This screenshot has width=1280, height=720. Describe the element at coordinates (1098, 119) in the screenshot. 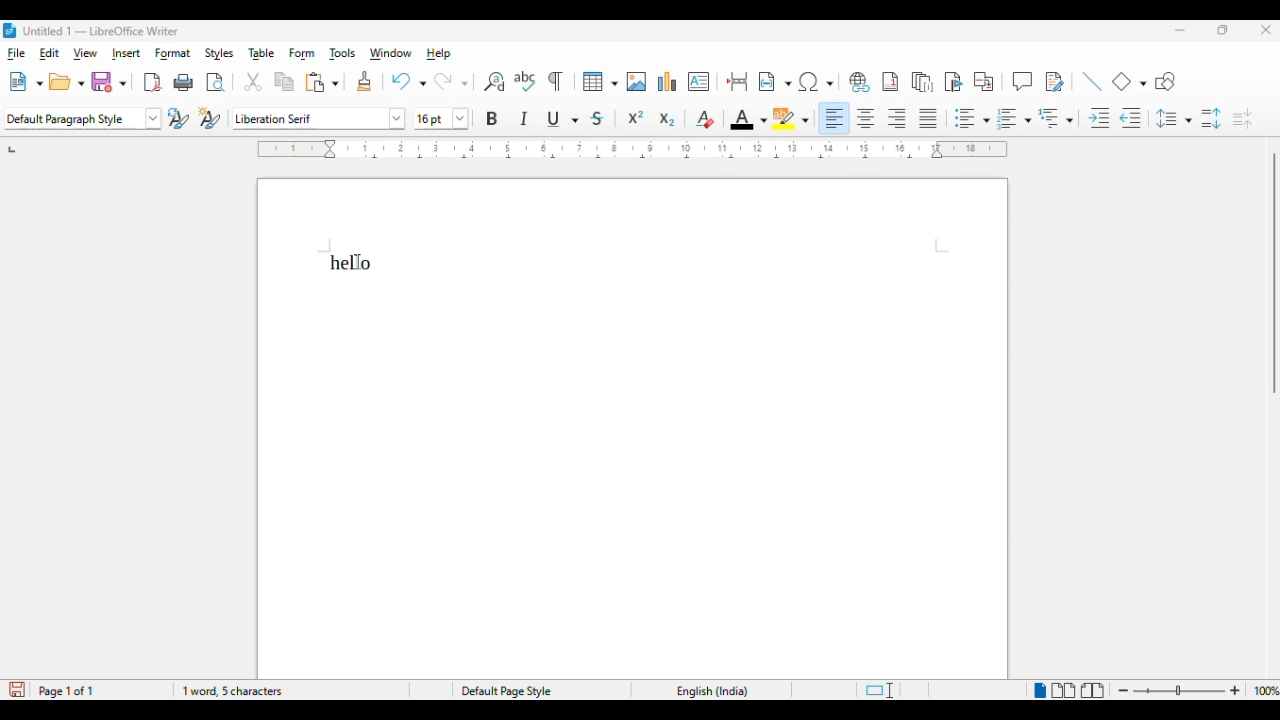

I see `increase indent` at that location.